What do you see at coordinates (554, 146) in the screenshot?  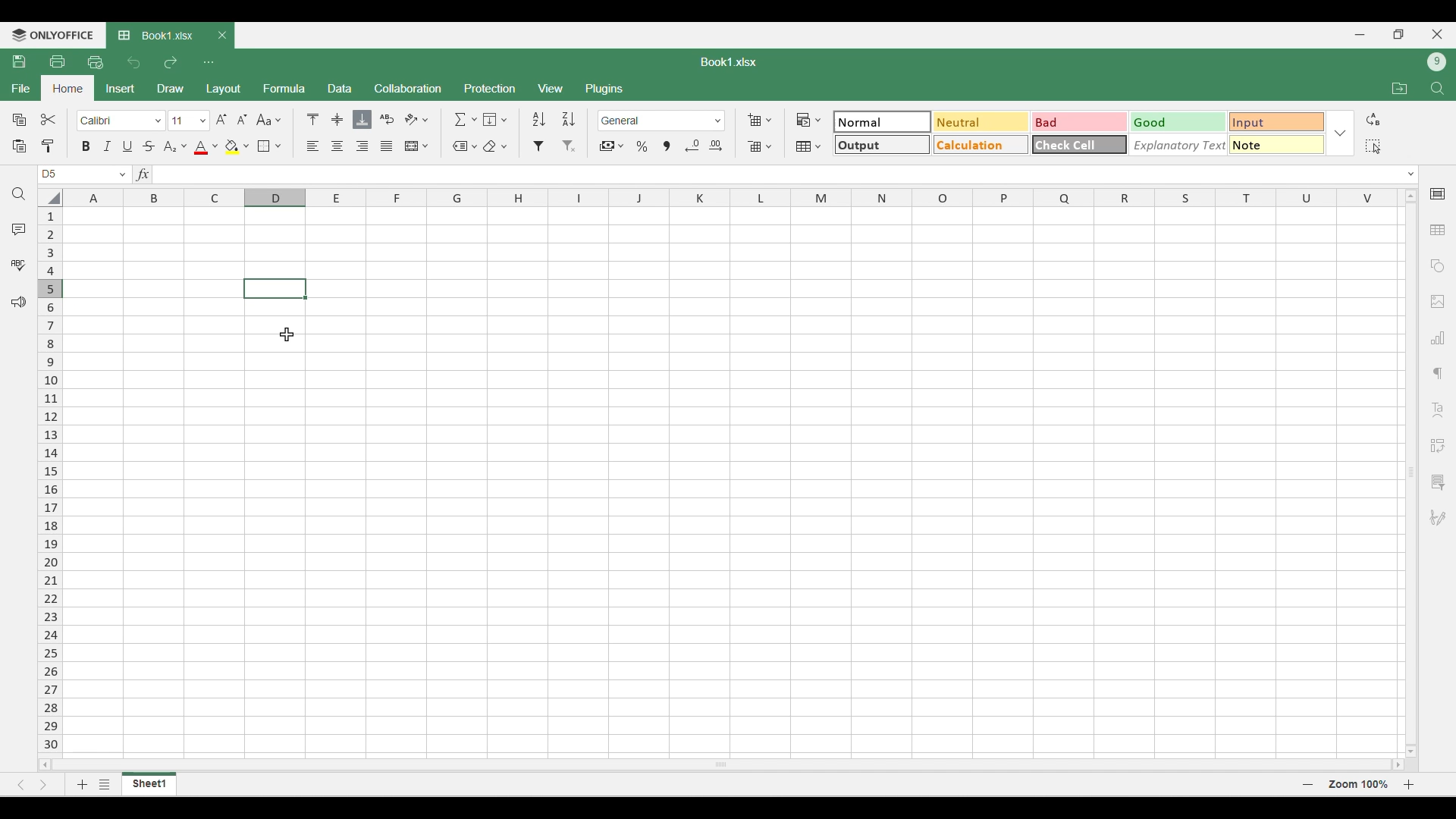 I see `Filter options` at bounding box center [554, 146].